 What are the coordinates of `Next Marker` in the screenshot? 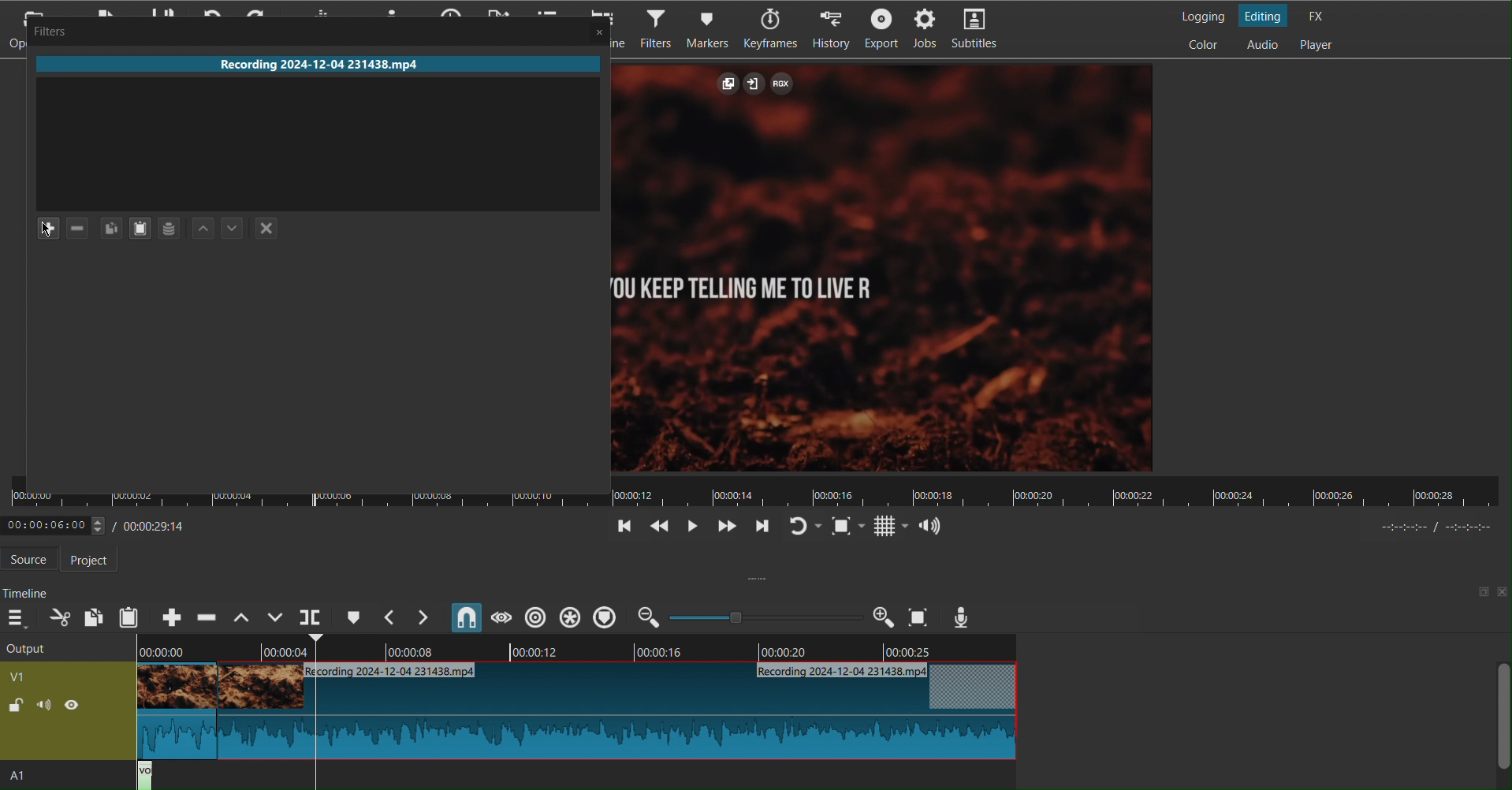 It's located at (426, 618).